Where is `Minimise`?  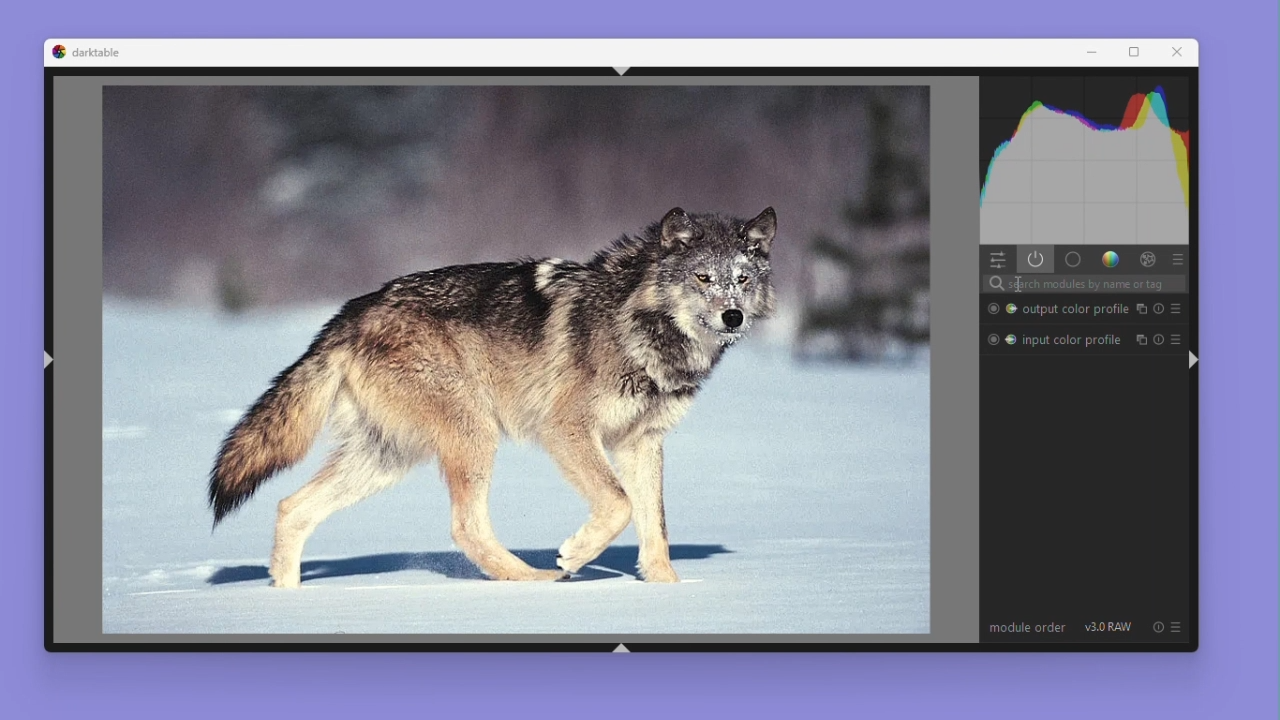 Minimise is located at coordinates (1091, 52).